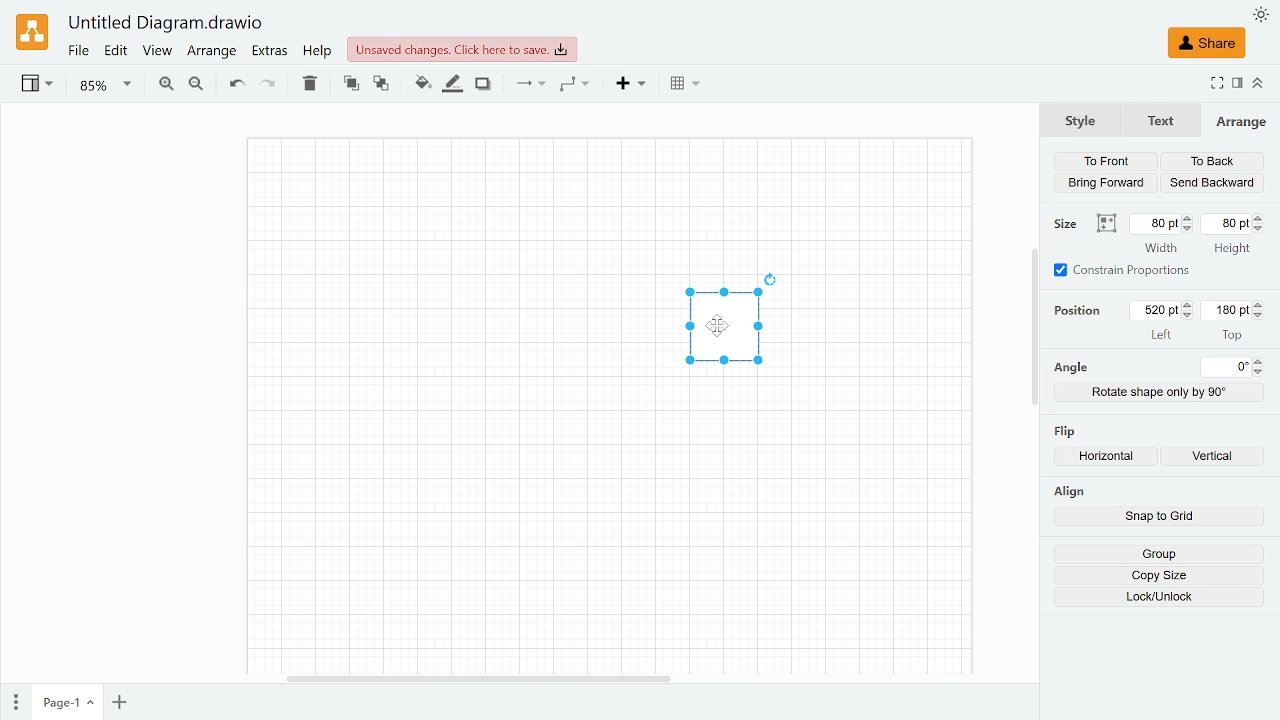 The width and height of the screenshot is (1280, 720). What do you see at coordinates (14, 703) in the screenshot?
I see `Pages` at bounding box center [14, 703].